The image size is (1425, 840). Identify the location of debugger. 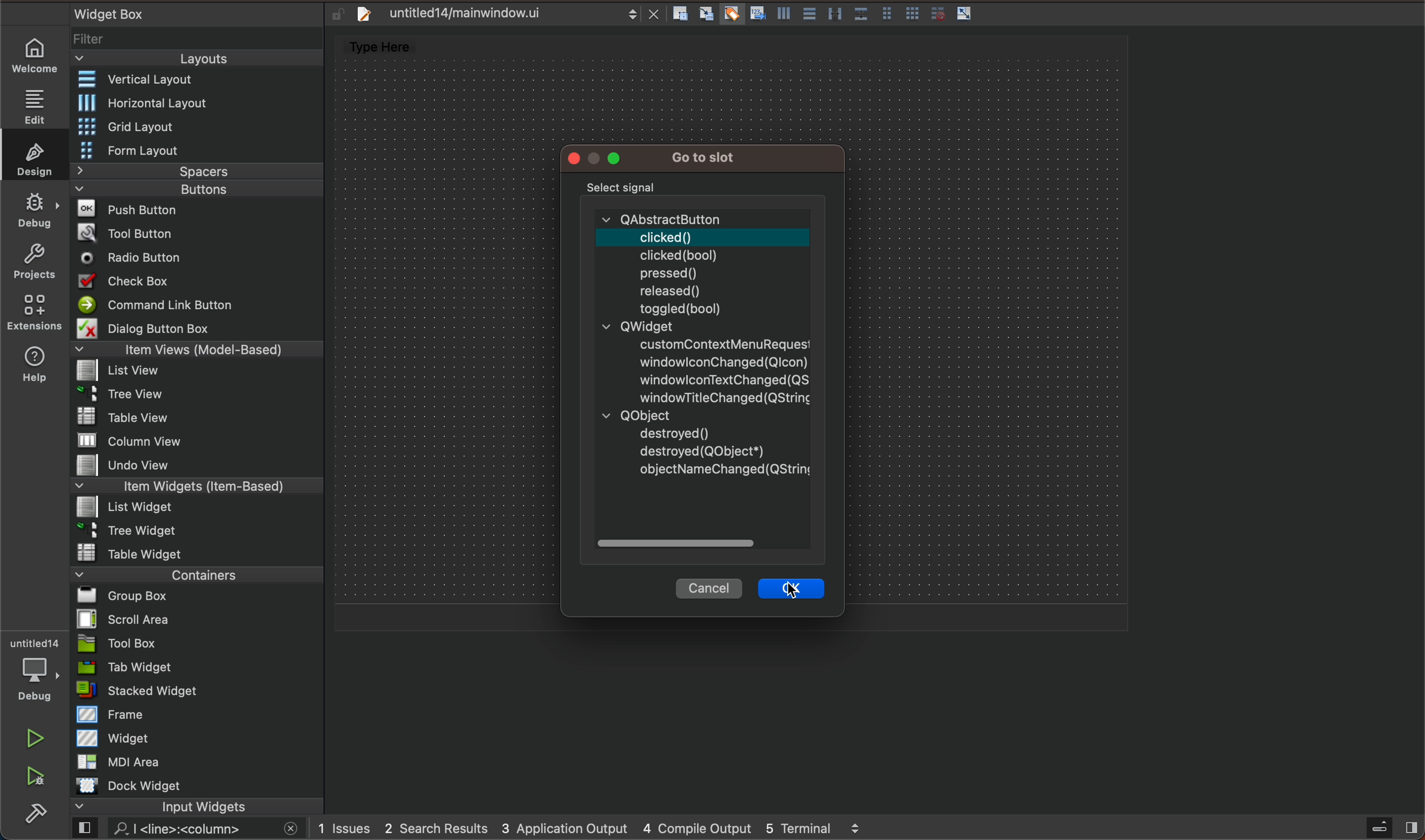
(37, 673).